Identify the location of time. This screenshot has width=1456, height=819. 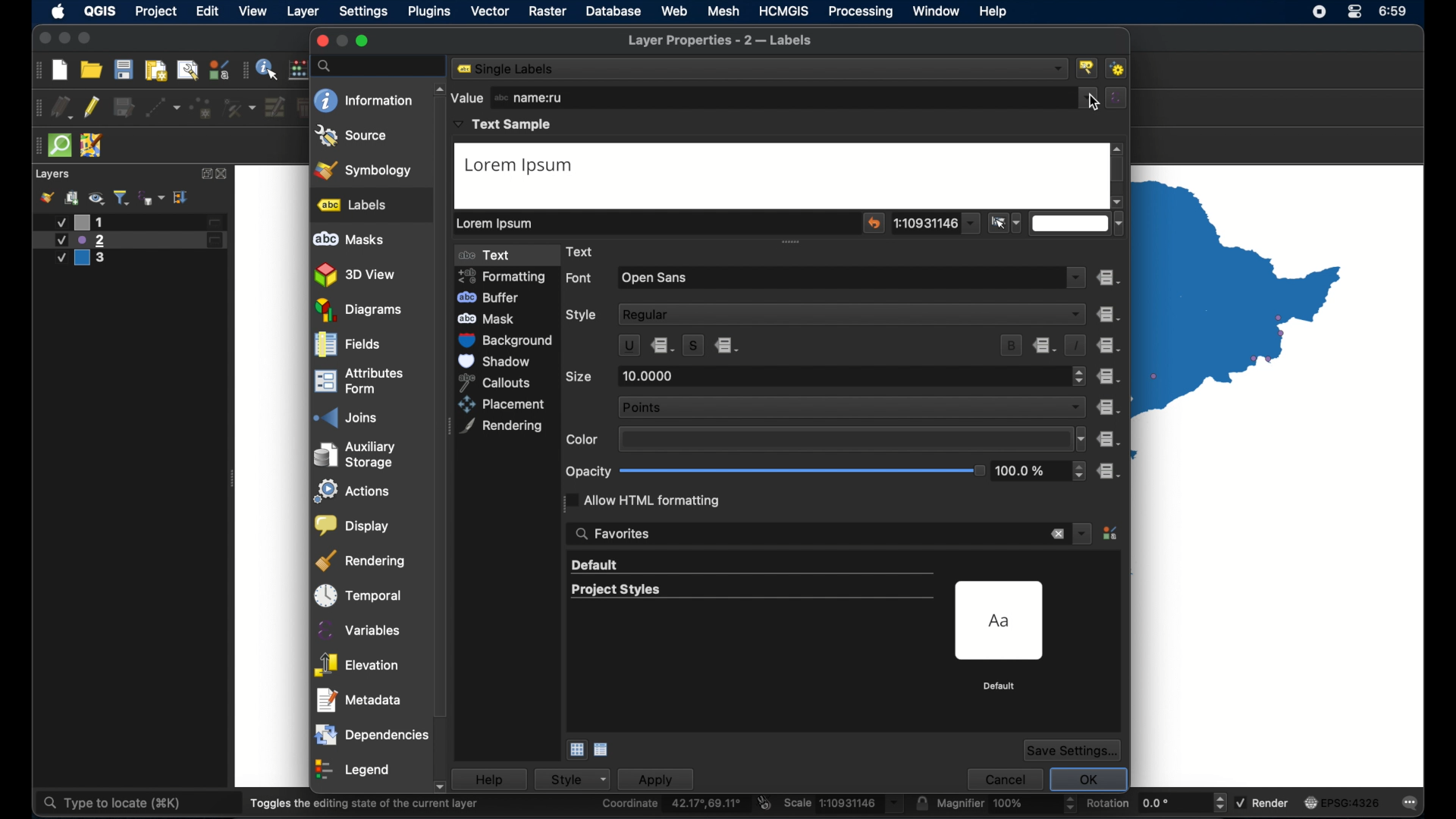
(1395, 12).